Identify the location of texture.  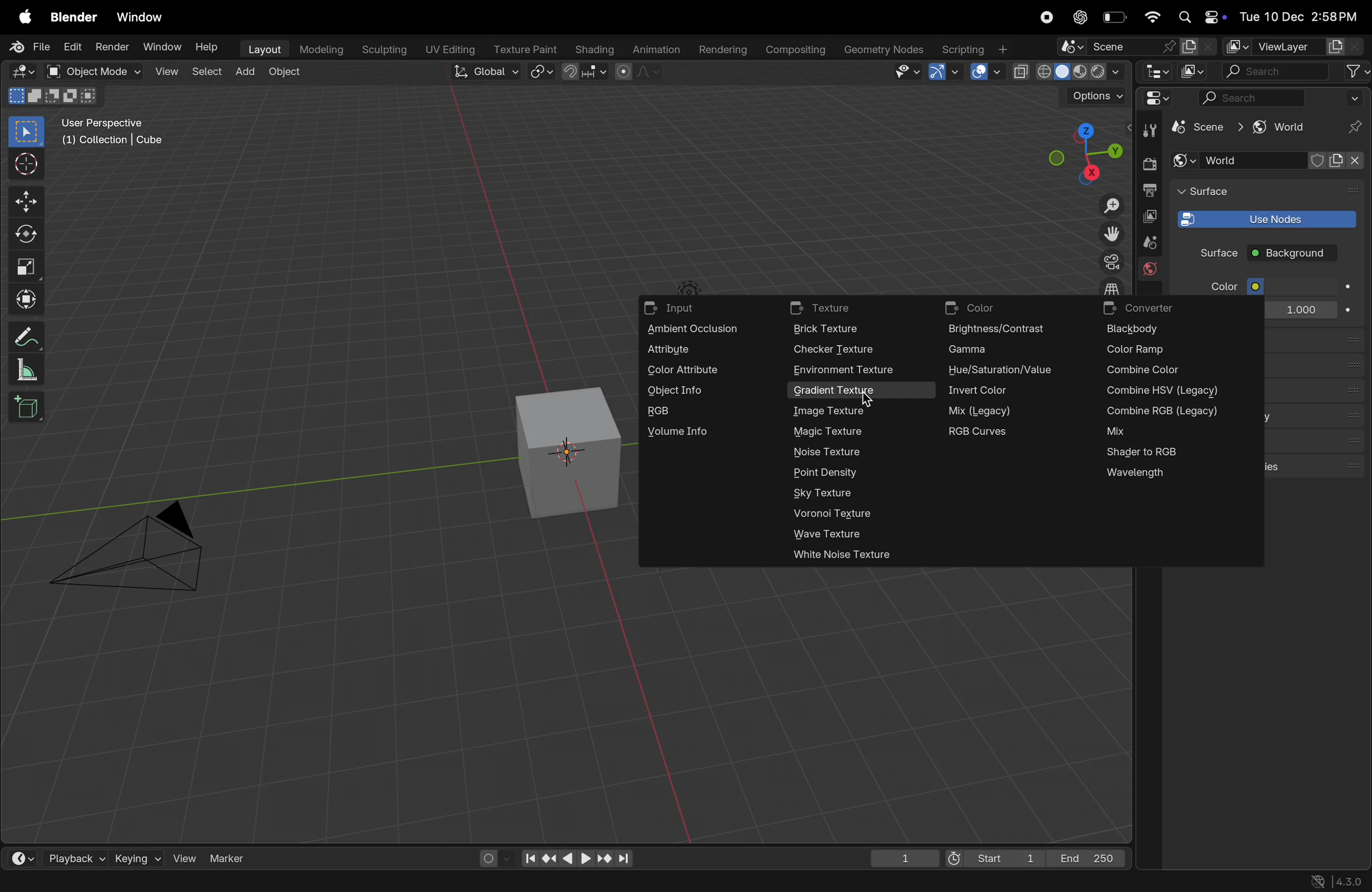
(842, 308).